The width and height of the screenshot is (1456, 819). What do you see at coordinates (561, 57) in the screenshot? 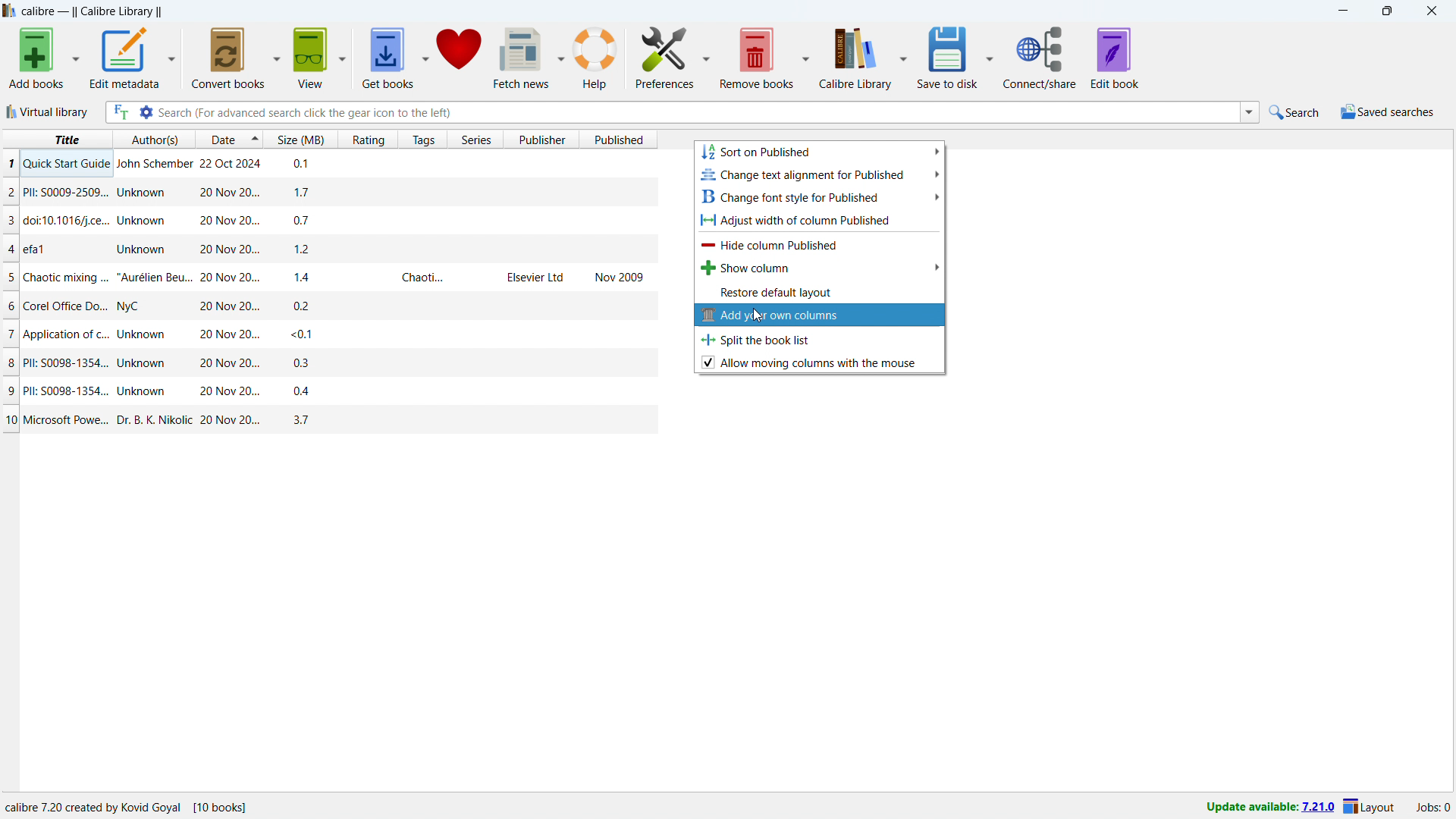
I see `fetch news options` at bounding box center [561, 57].